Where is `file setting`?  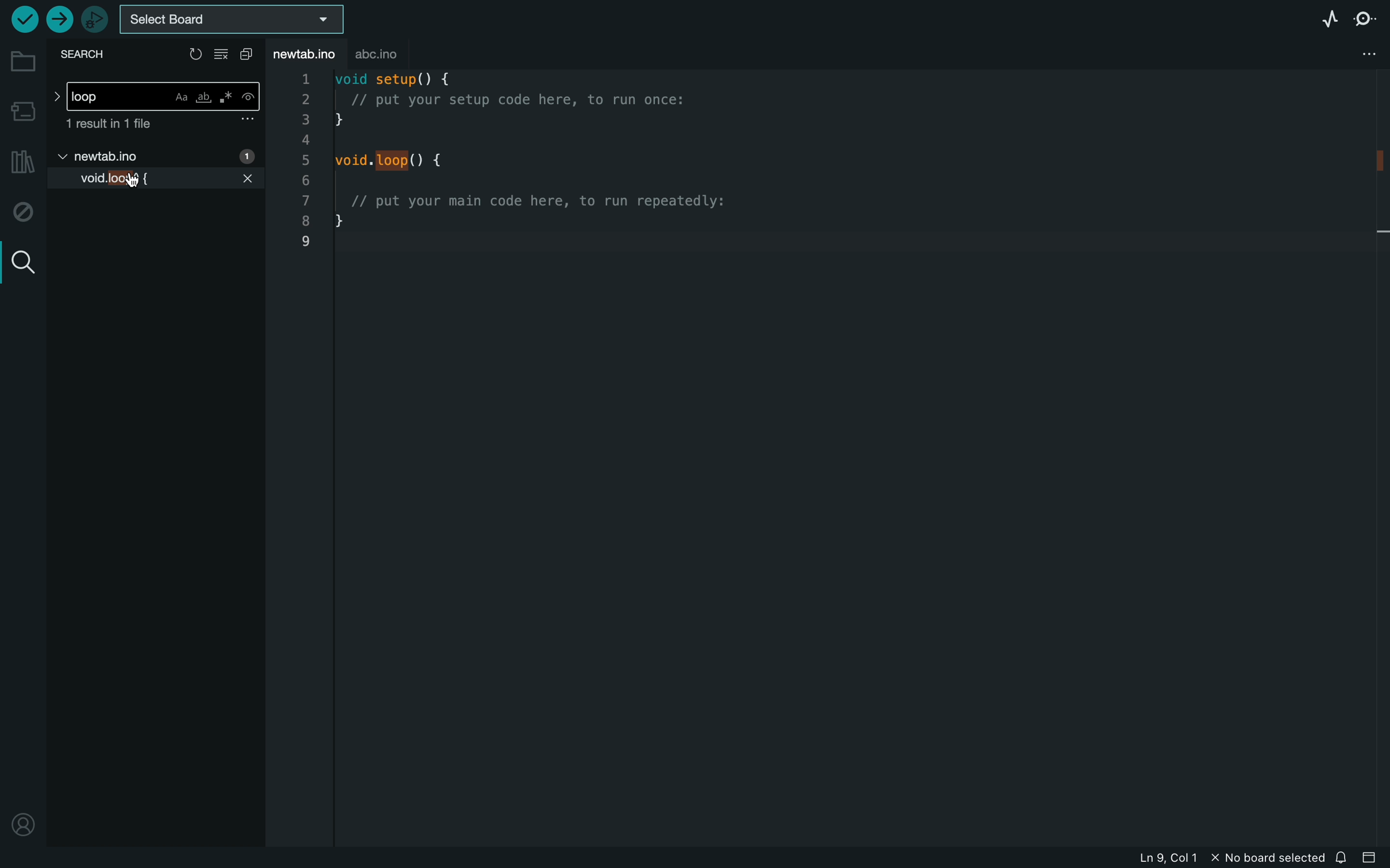
file setting is located at coordinates (1354, 55).